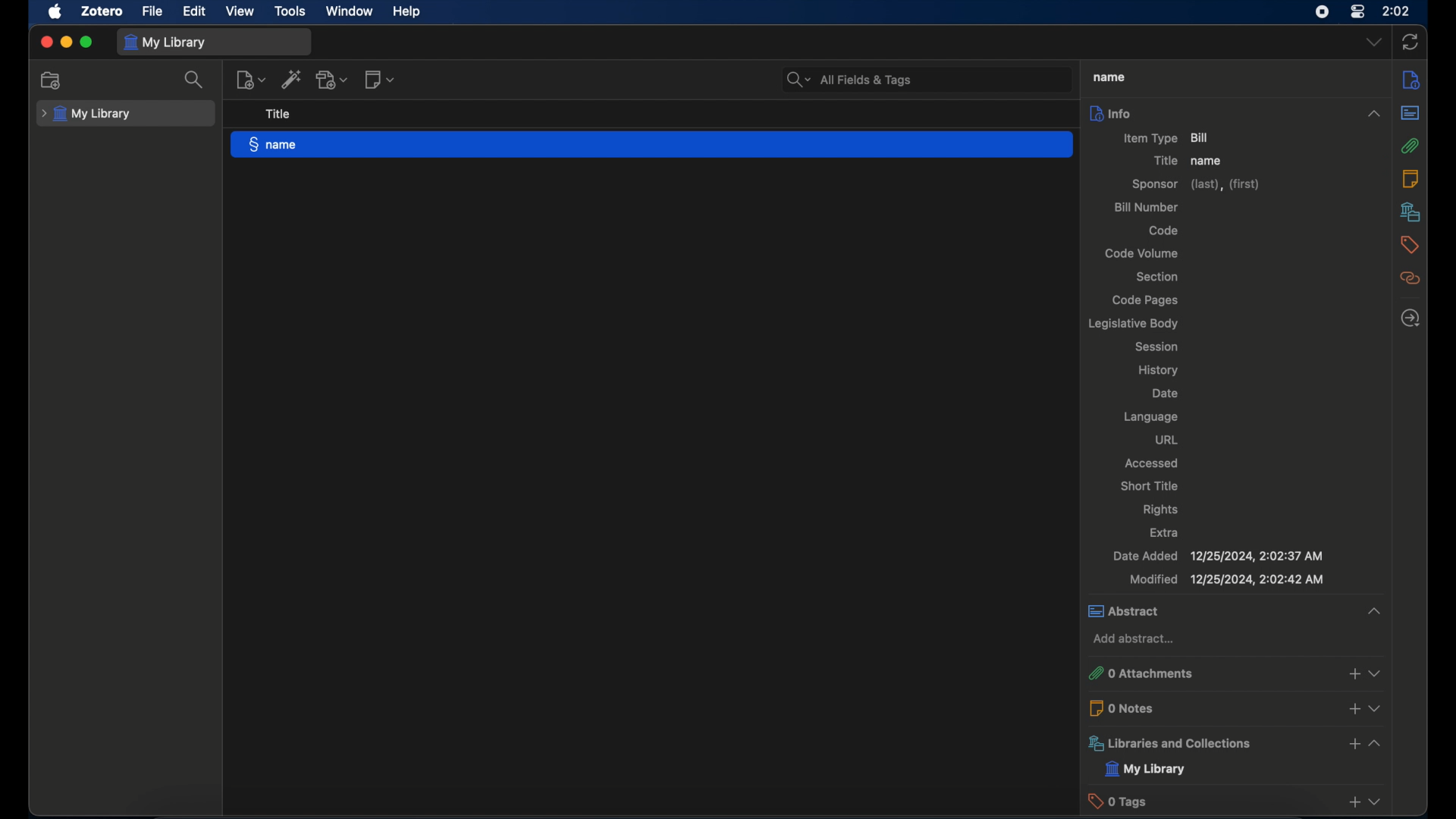 The image size is (1456, 819). I want to click on help, so click(406, 12).